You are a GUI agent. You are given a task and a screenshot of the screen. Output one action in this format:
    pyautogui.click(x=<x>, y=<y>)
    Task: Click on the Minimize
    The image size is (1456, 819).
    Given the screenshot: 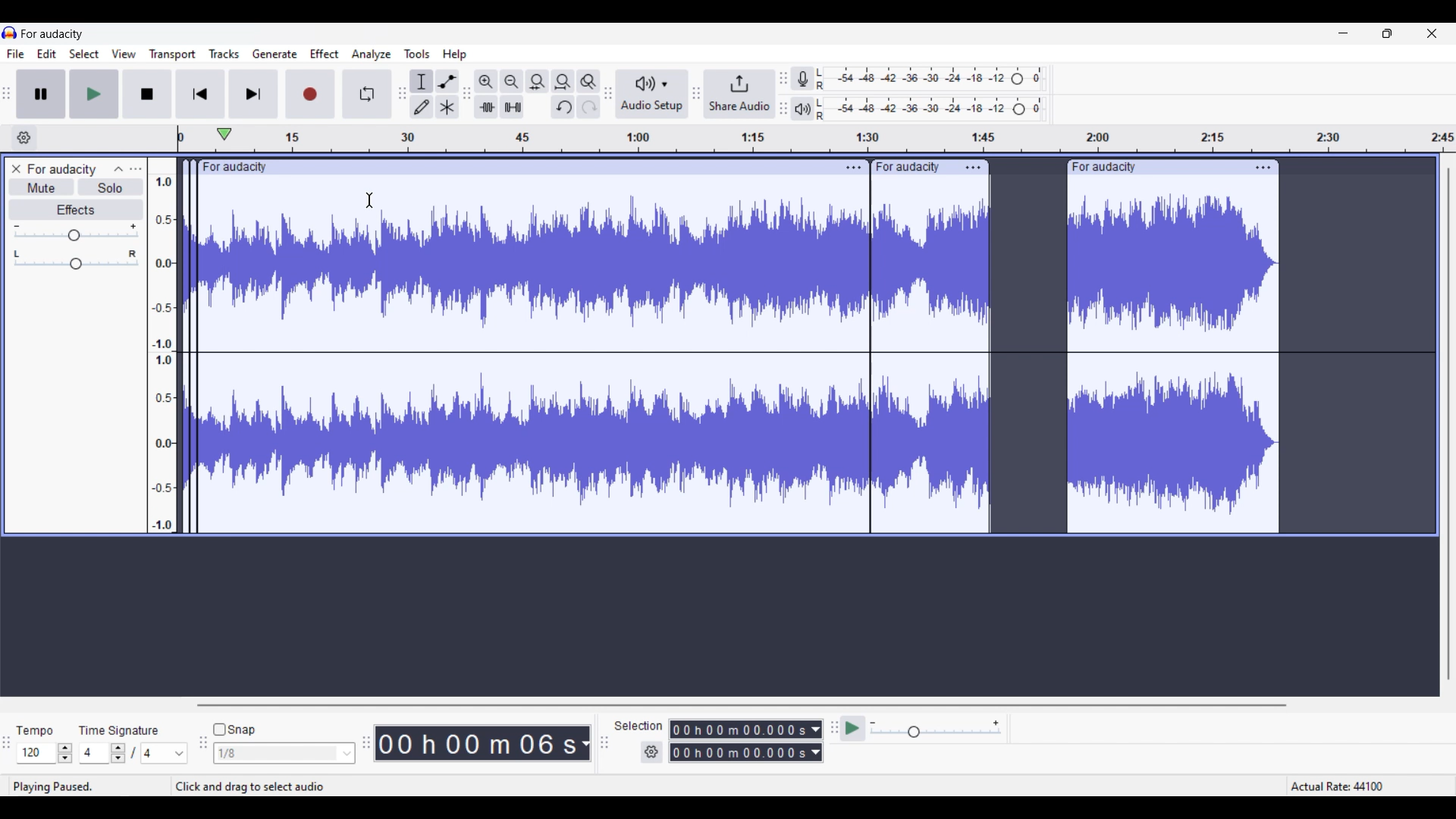 What is the action you would take?
    pyautogui.click(x=1343, y=33)
    